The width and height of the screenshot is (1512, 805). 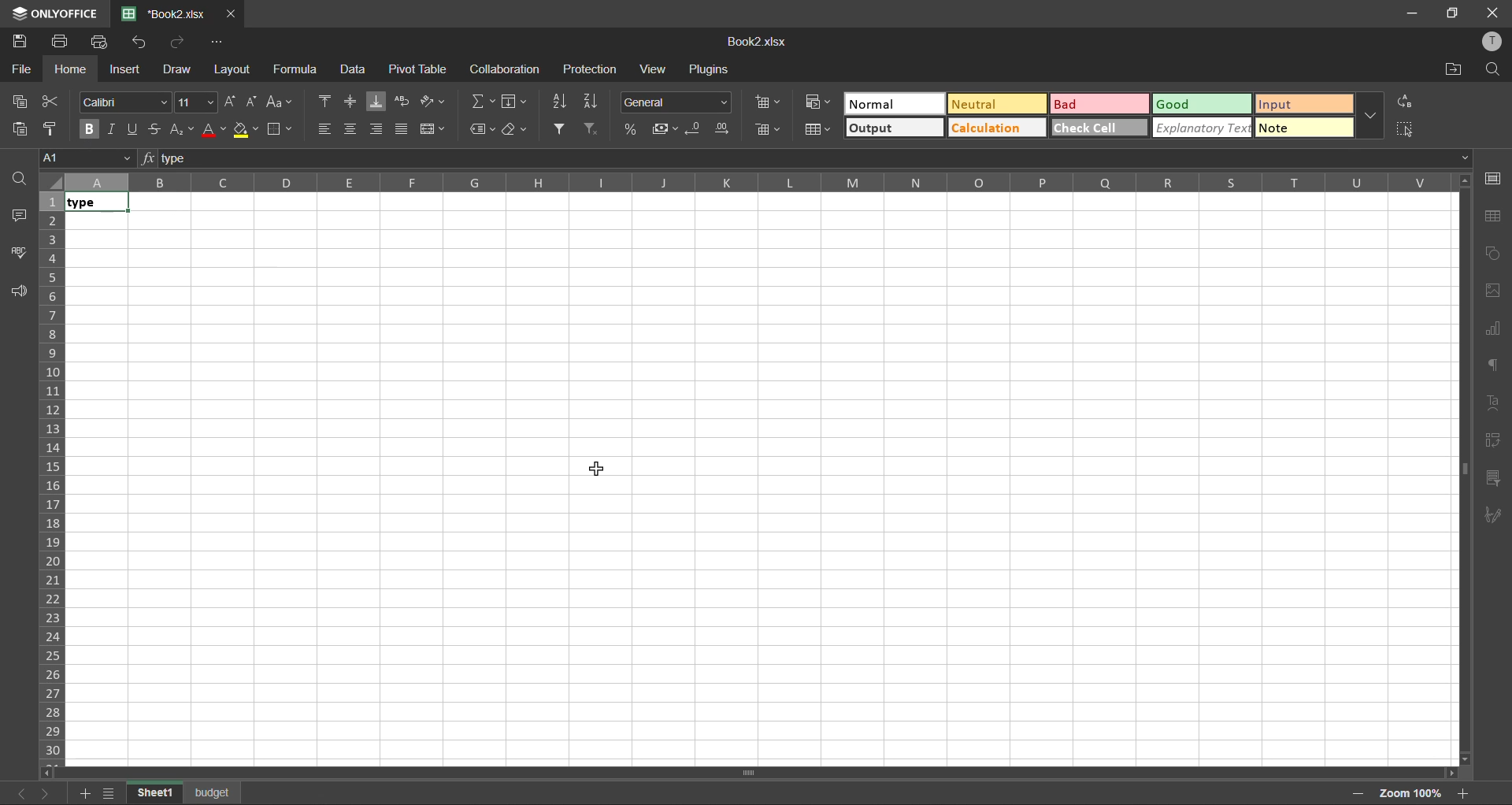 What do you see at coordinates (715, 70) in the screenshot?
I see `plugins` at bounding box center [715, 70].